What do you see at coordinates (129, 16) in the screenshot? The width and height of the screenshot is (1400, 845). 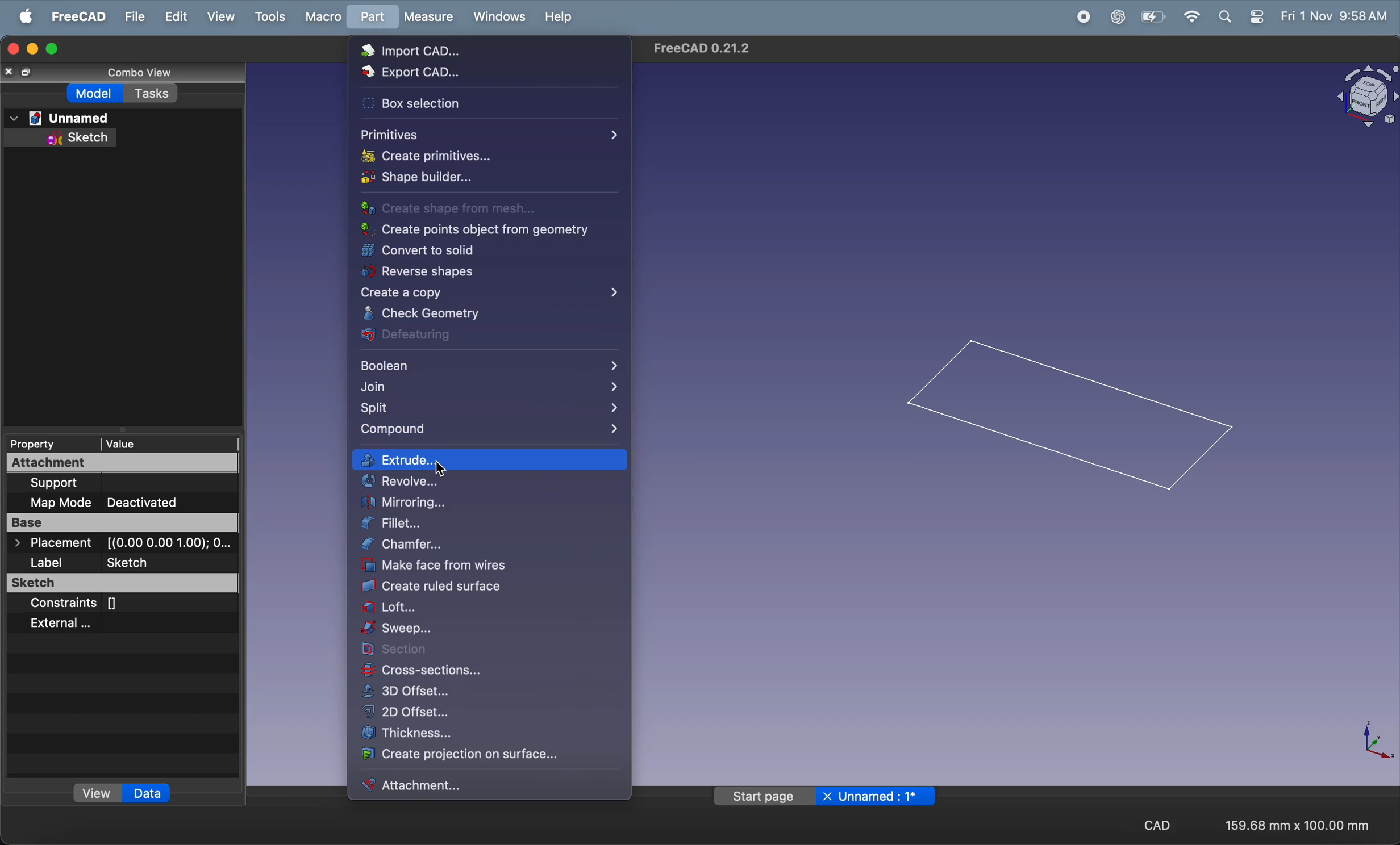 I see `file` at bounding box center [129, 16].